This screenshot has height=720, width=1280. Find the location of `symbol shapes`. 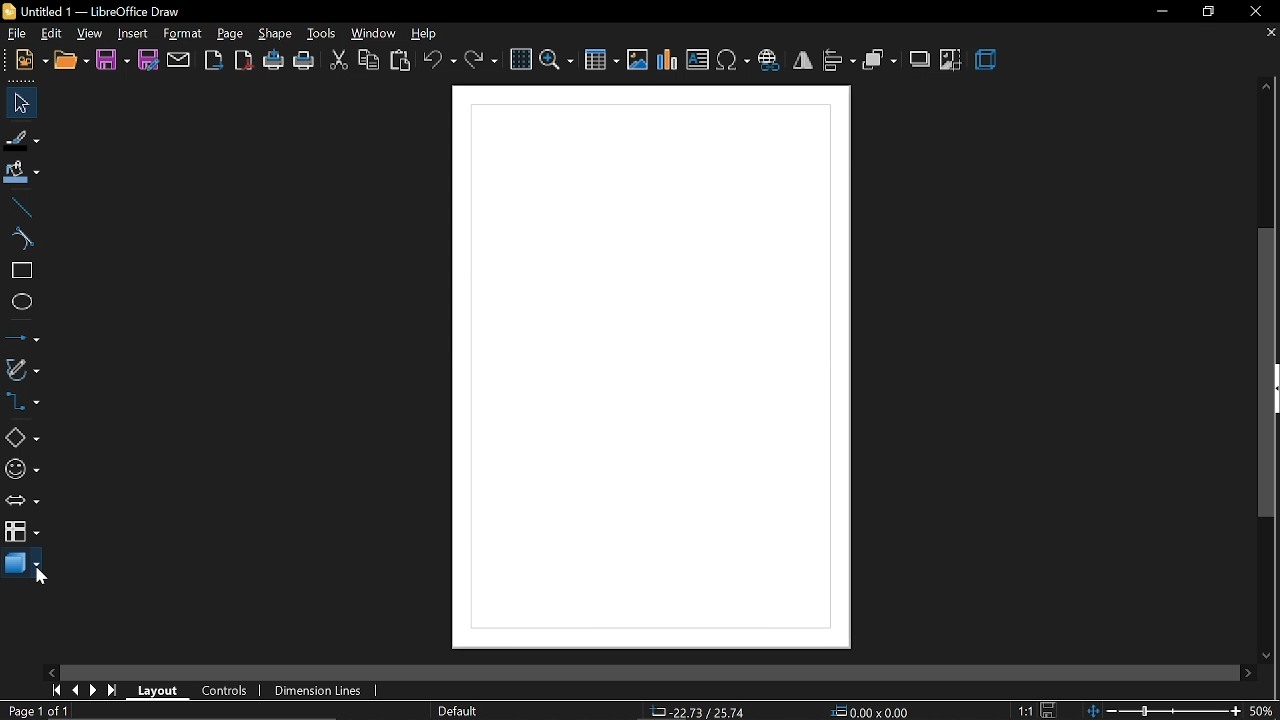

symbol shapes is located at coordinates (22, 469).